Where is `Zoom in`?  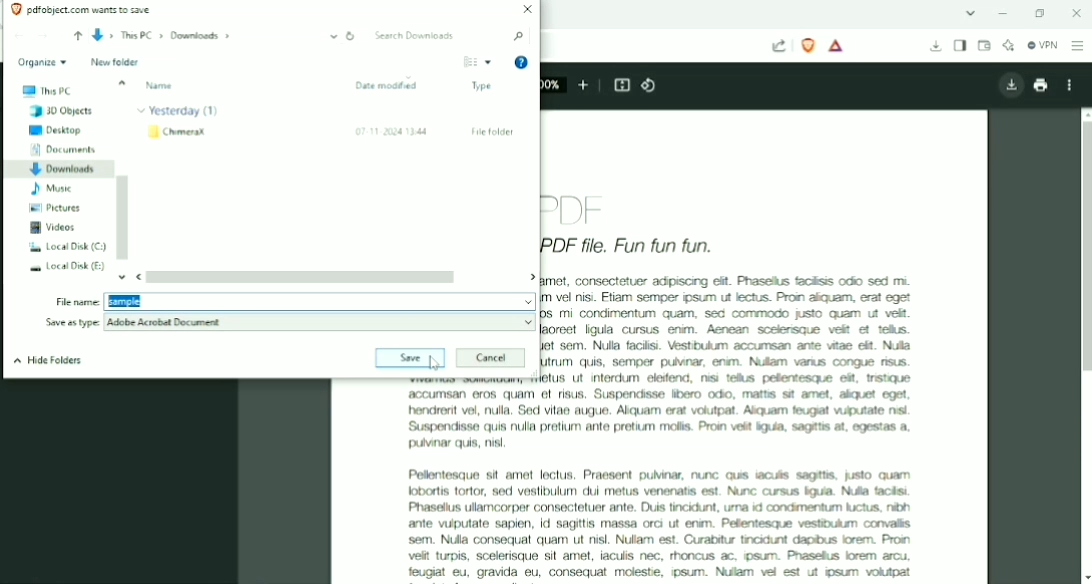 Zoom in is located at coordinates (584, 83).